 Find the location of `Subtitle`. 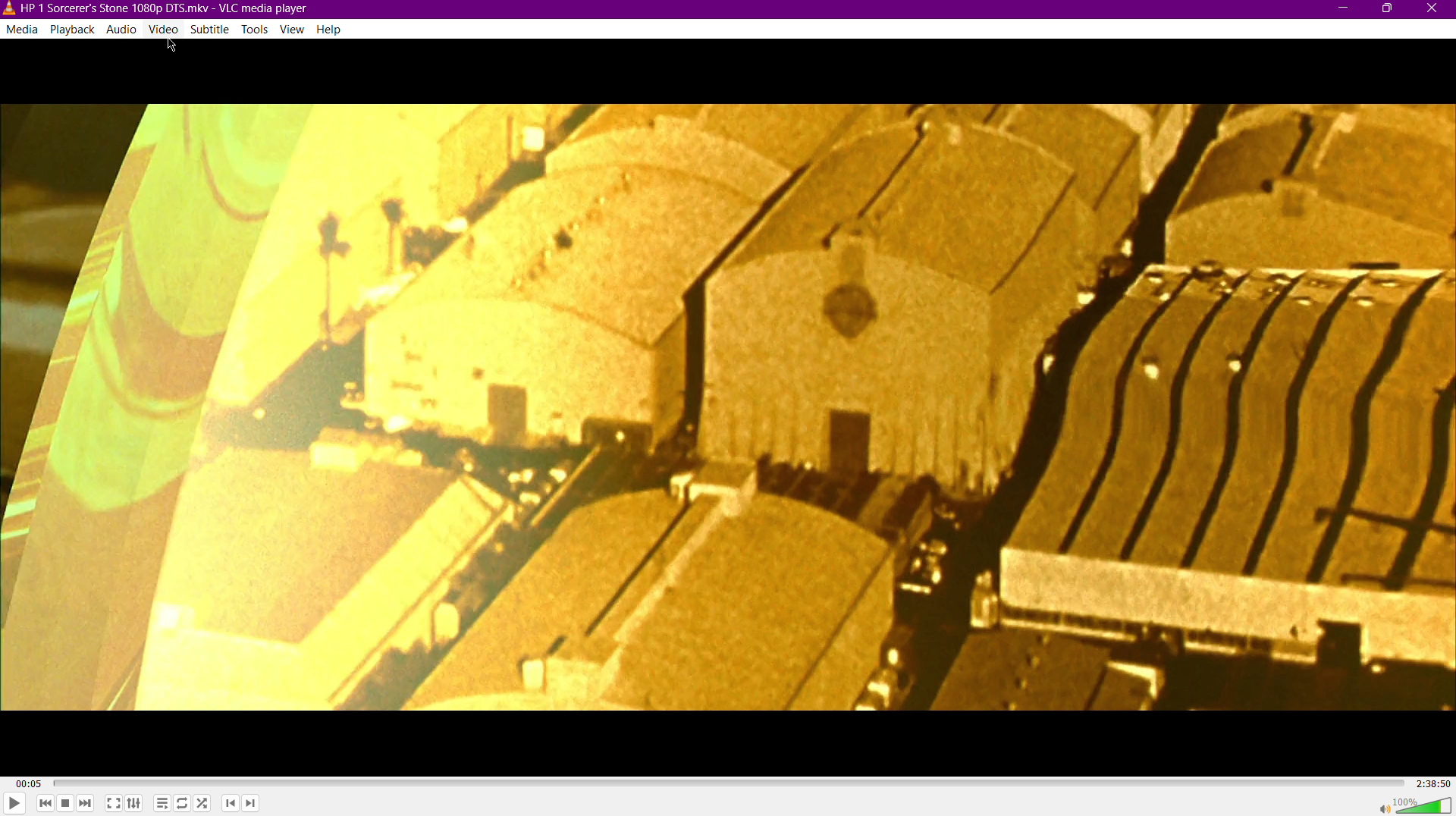

Subtitle is located at coordinates (212, 29).